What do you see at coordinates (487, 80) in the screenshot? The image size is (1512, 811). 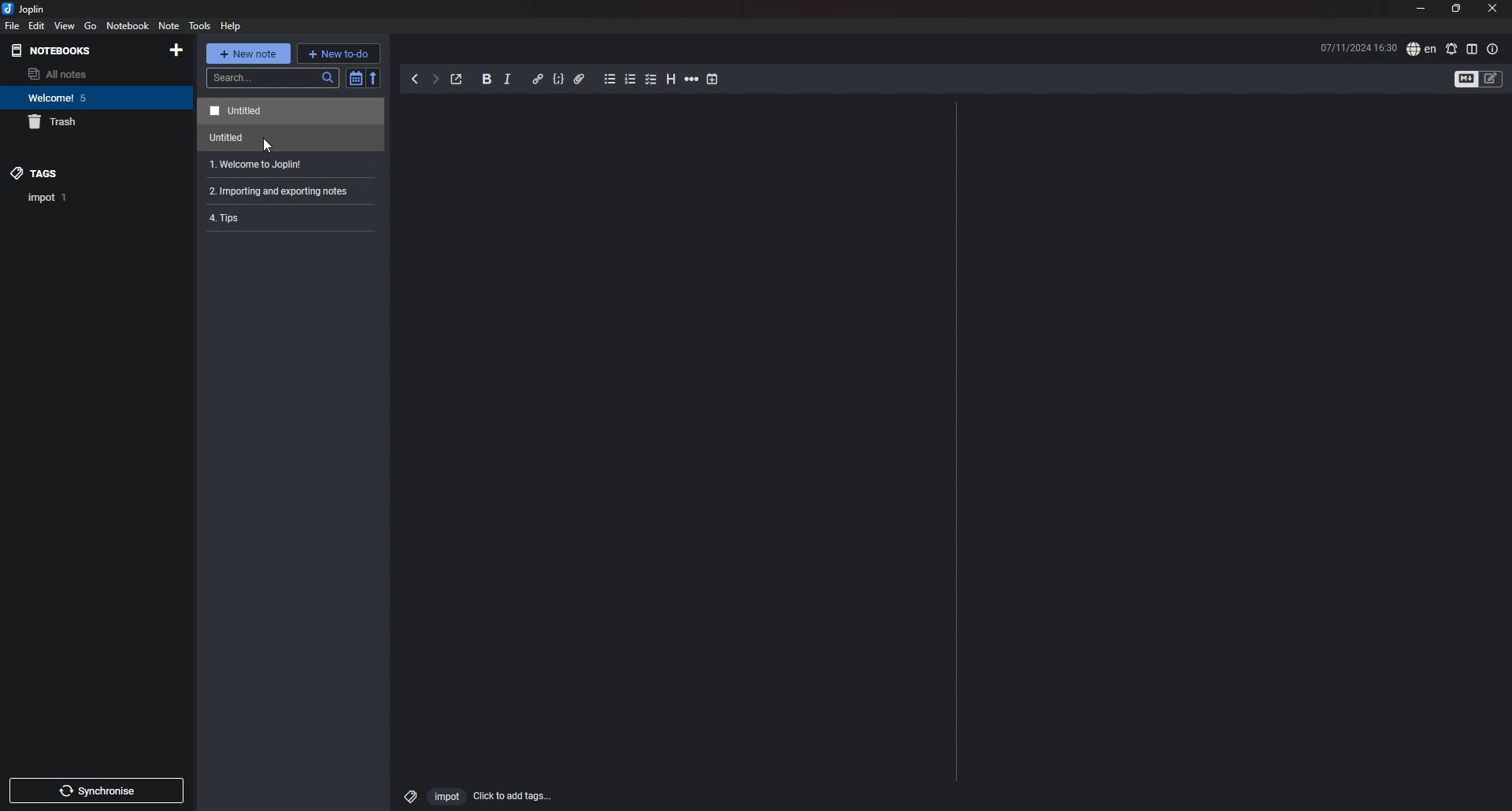 I see `bold` at bounding box center [487, 80].